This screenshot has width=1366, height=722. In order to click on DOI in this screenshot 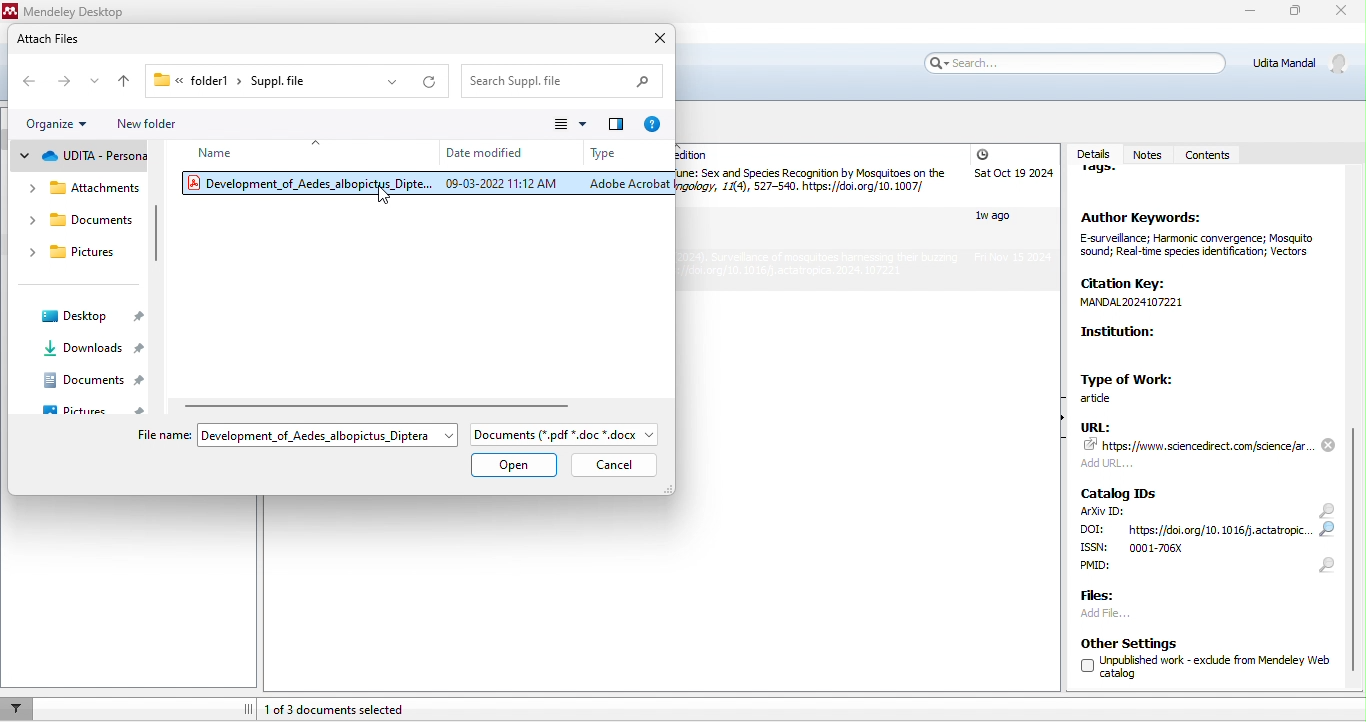, I will do `click(1198, 530)`.